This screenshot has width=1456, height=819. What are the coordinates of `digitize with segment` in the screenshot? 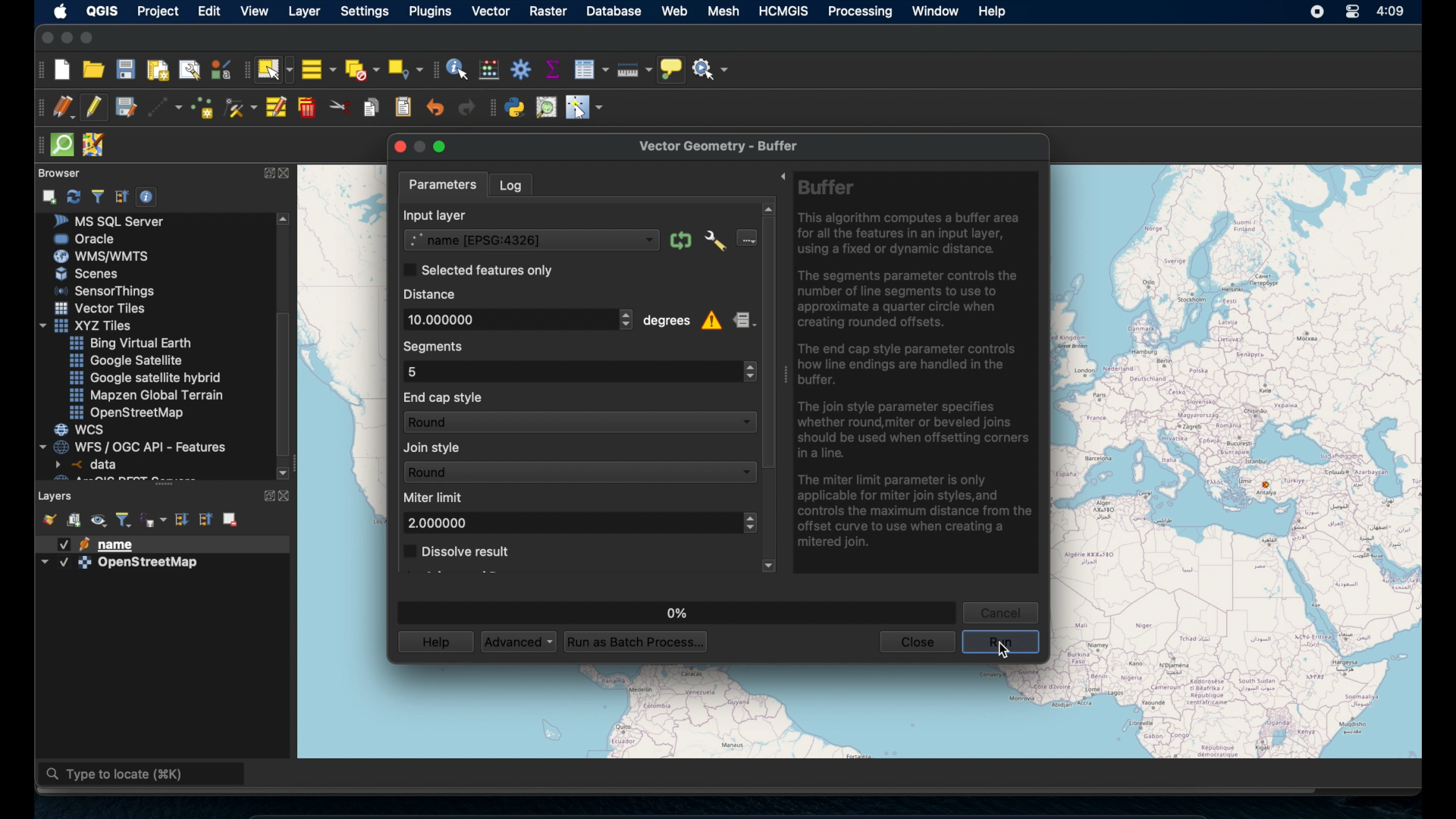 It's located at (165, 108).